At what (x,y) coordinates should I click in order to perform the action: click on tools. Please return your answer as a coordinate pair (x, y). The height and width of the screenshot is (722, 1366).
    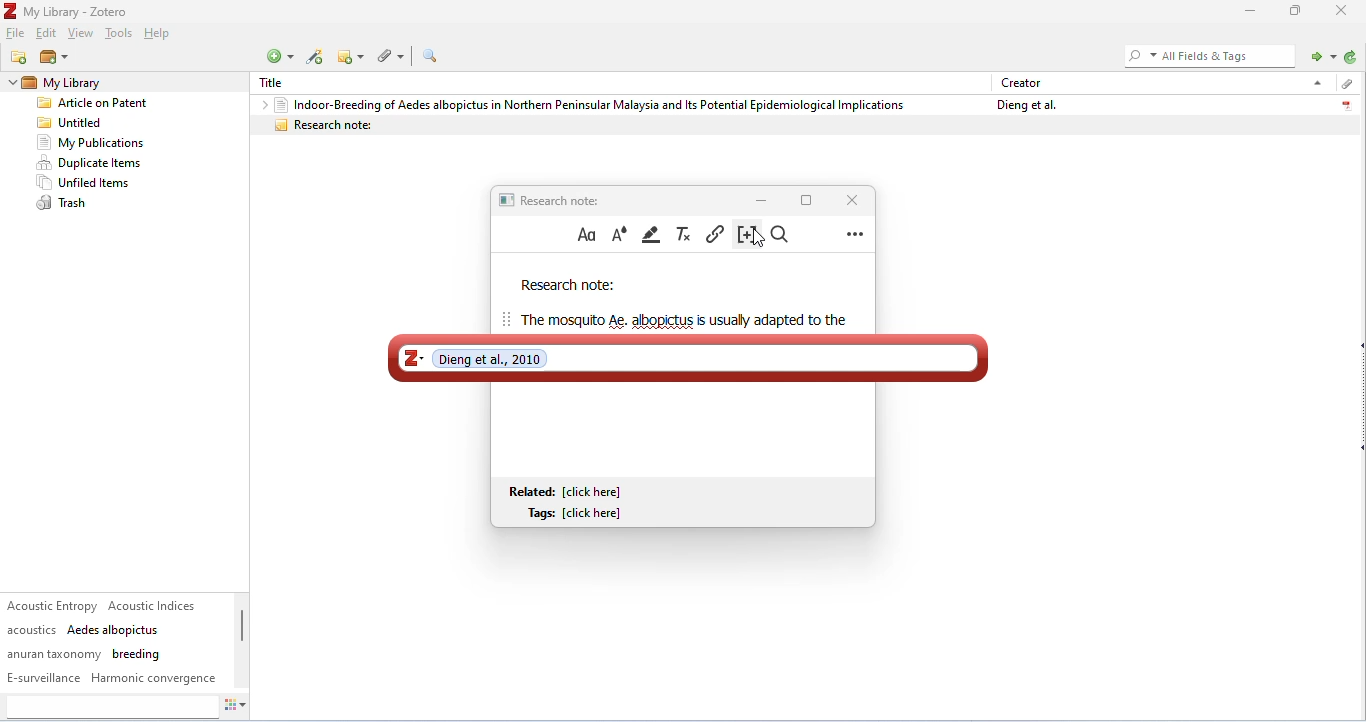
    Looking at the image, I should click on (118, 35).